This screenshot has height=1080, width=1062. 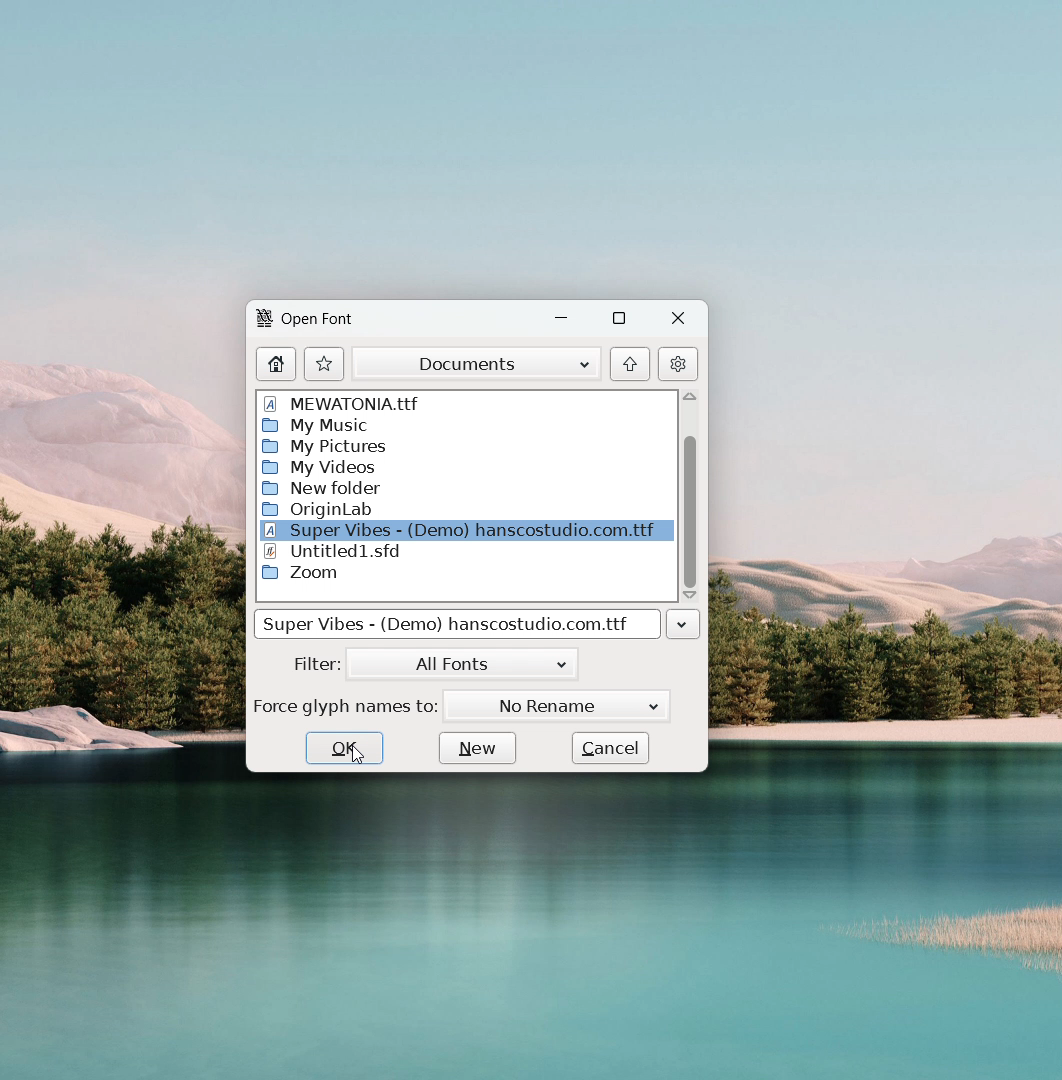 I want to click on new, so click(x=477, y=748).